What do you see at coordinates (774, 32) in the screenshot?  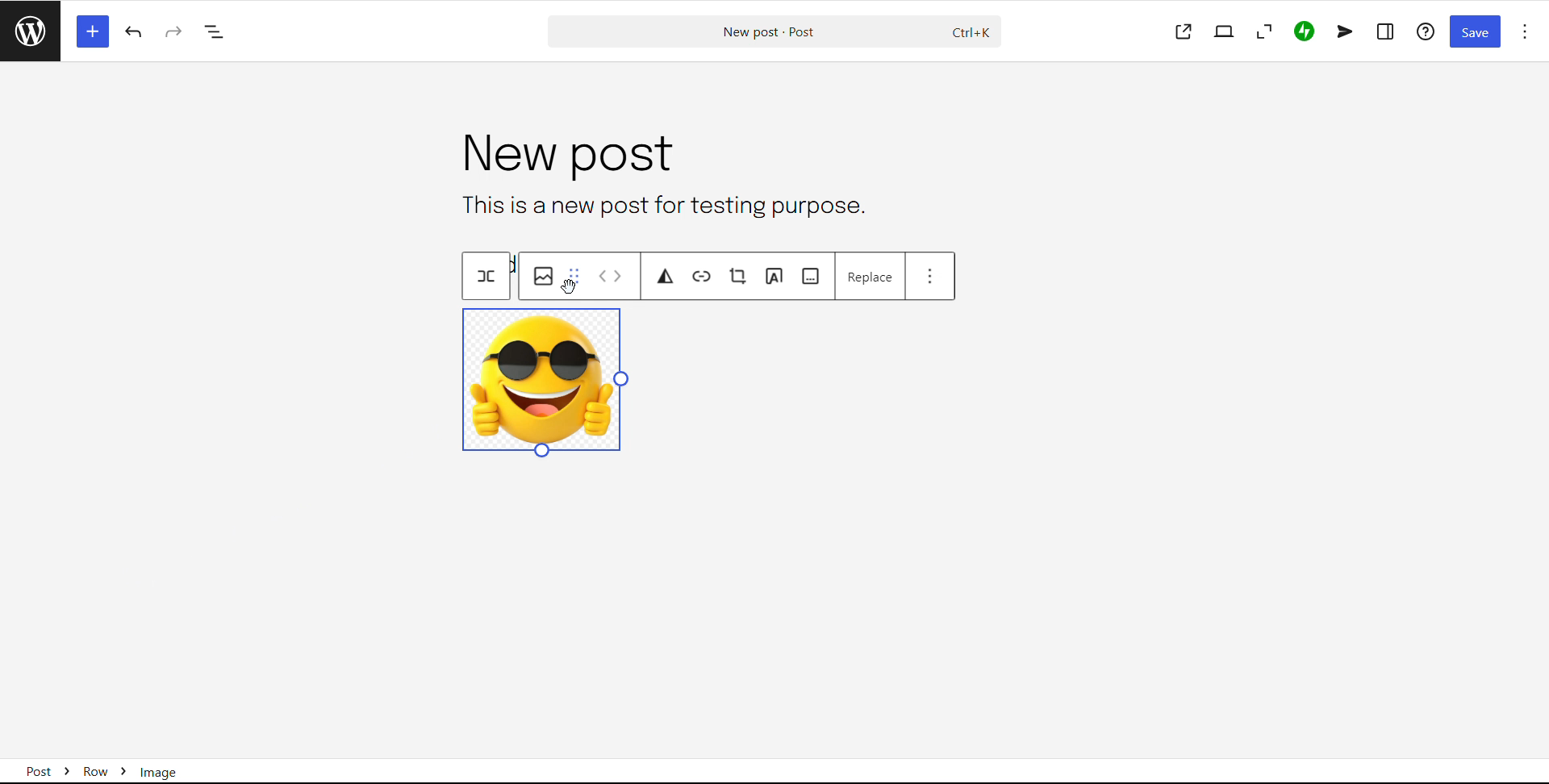 I see `search post and commands` at bounding box center [774, 32].